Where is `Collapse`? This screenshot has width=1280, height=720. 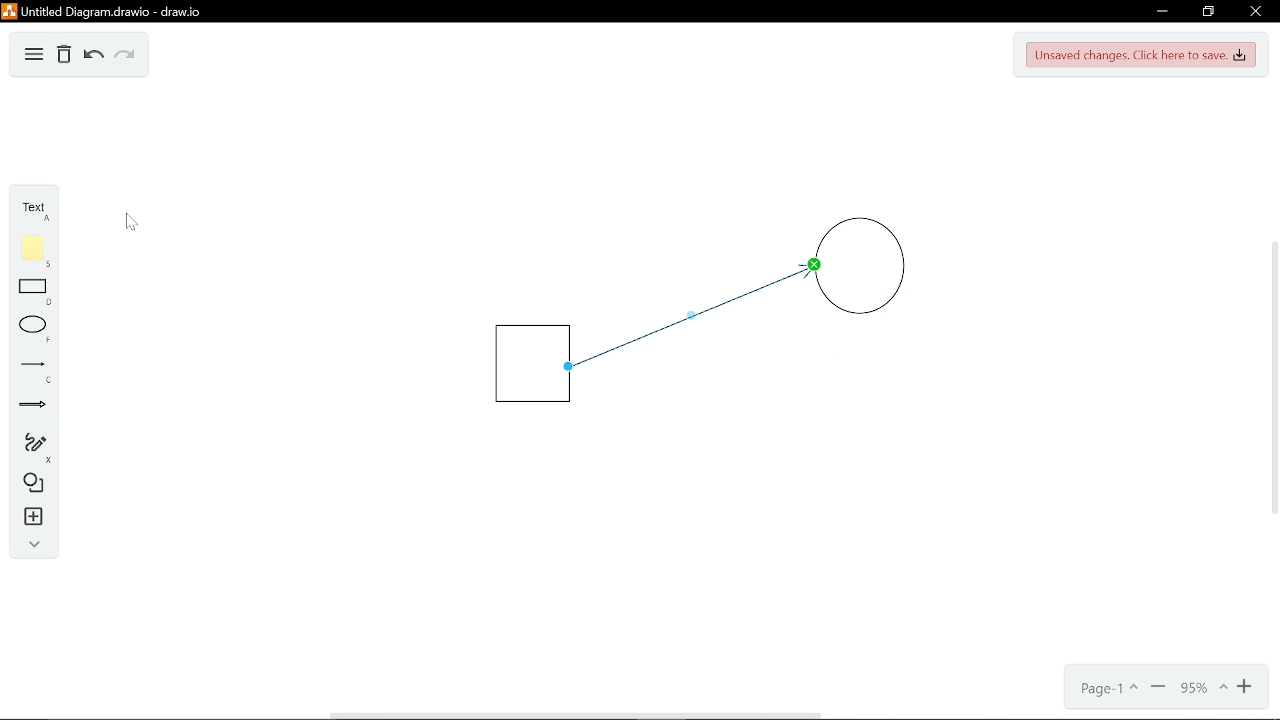
Collapse is located at coordinates (28, 544).